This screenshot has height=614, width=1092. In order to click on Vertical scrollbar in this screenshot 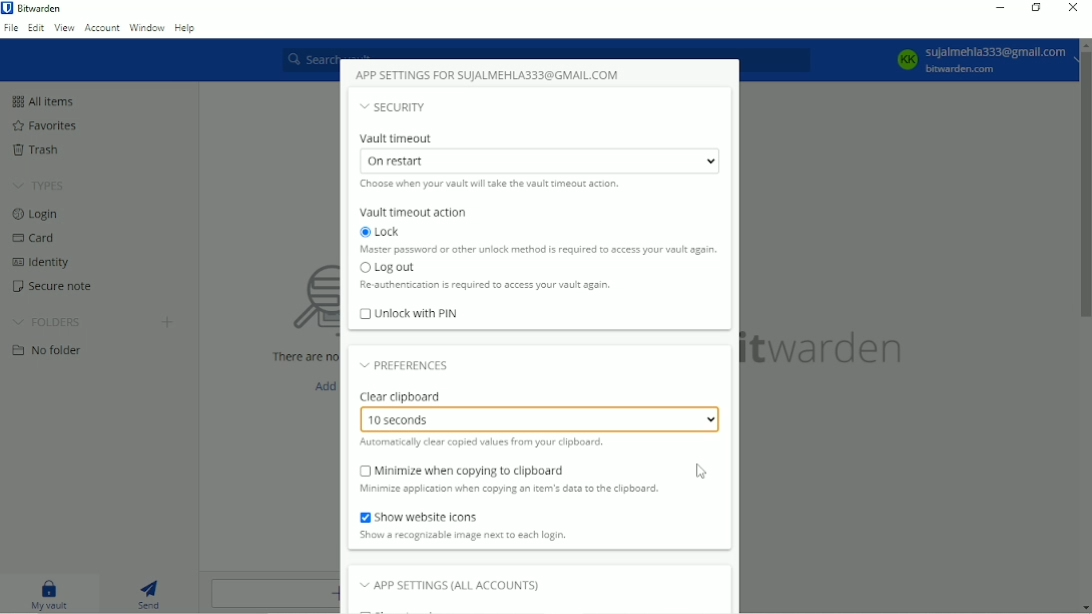, I will do `click(1084, 185)`.